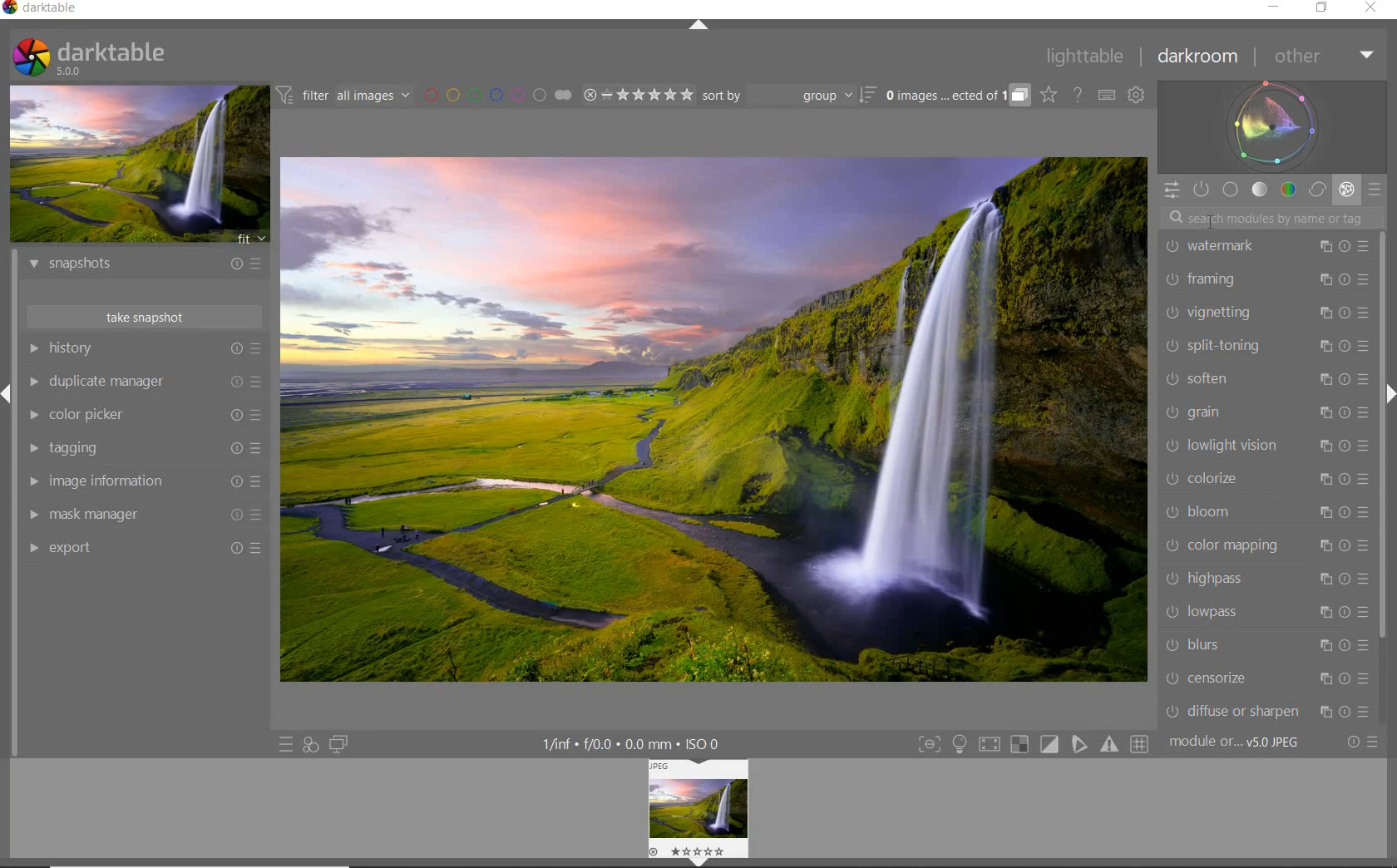 The height and width of the screenshot is (868, 1397). I want to click on QUICK ACCESS PANEL, so click(1172, 190).